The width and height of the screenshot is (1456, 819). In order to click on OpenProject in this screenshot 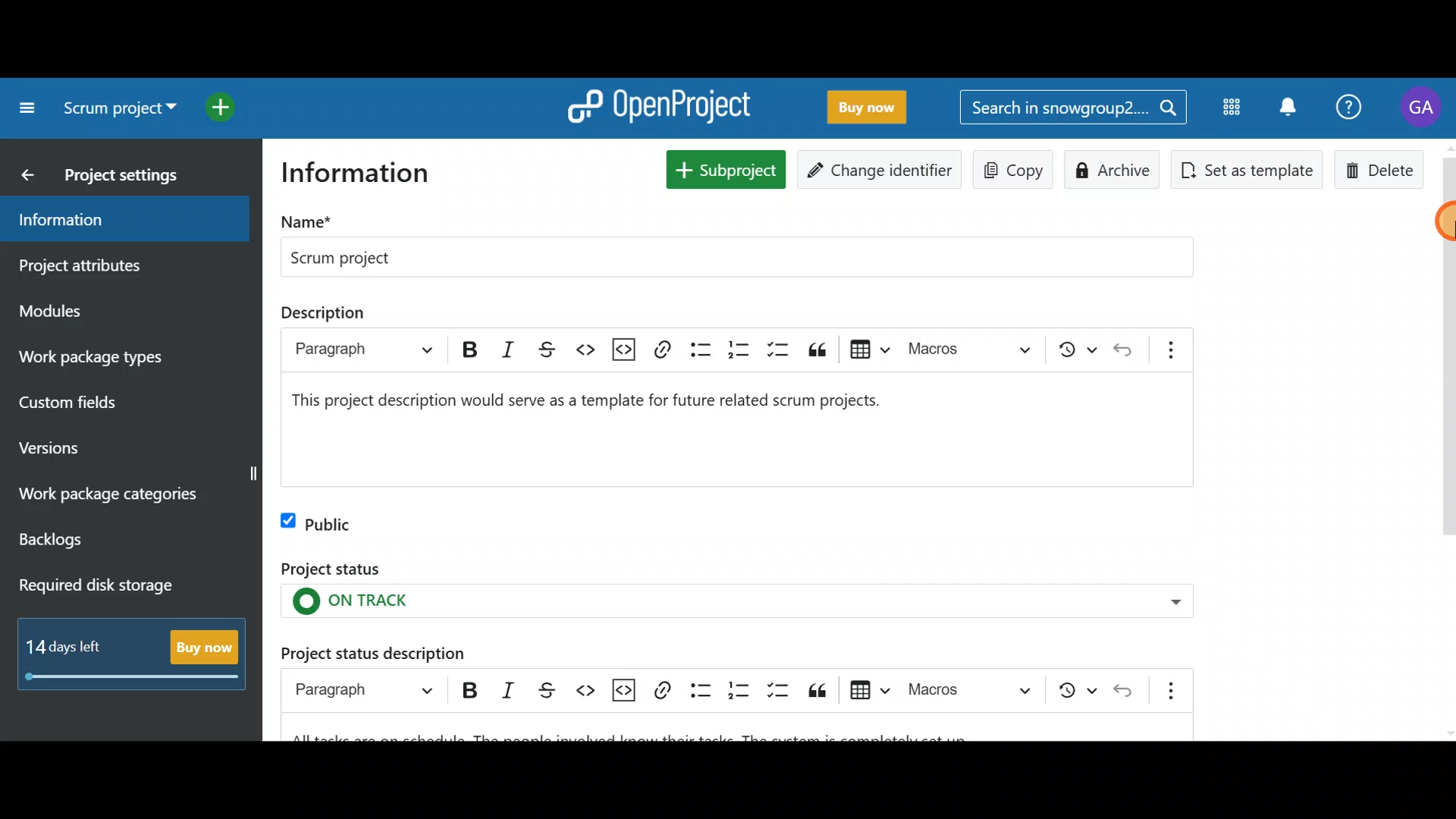, I will do `click(664, 105)`.